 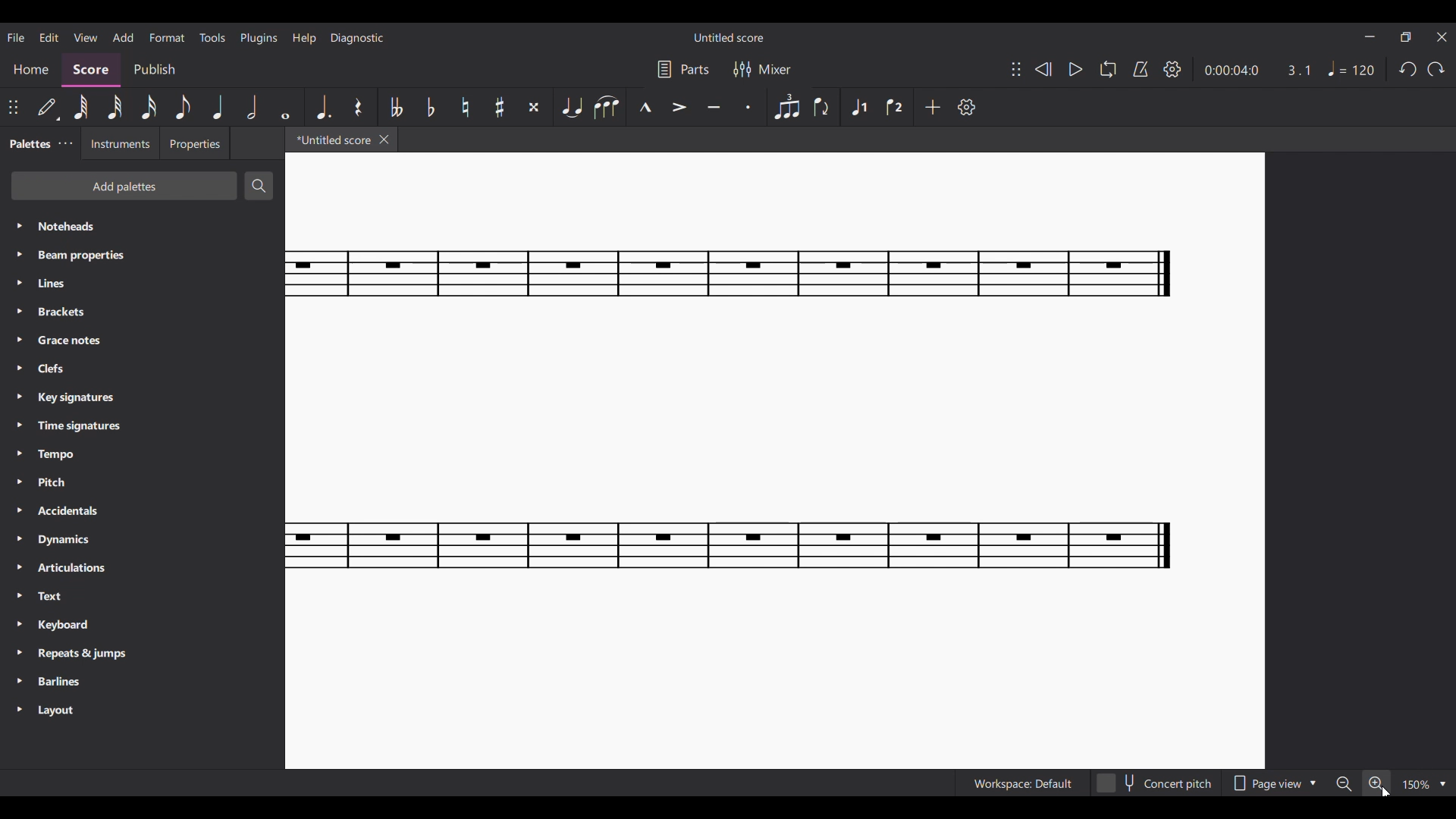 I want to click on Tuplet, so click(x=786, y=106).